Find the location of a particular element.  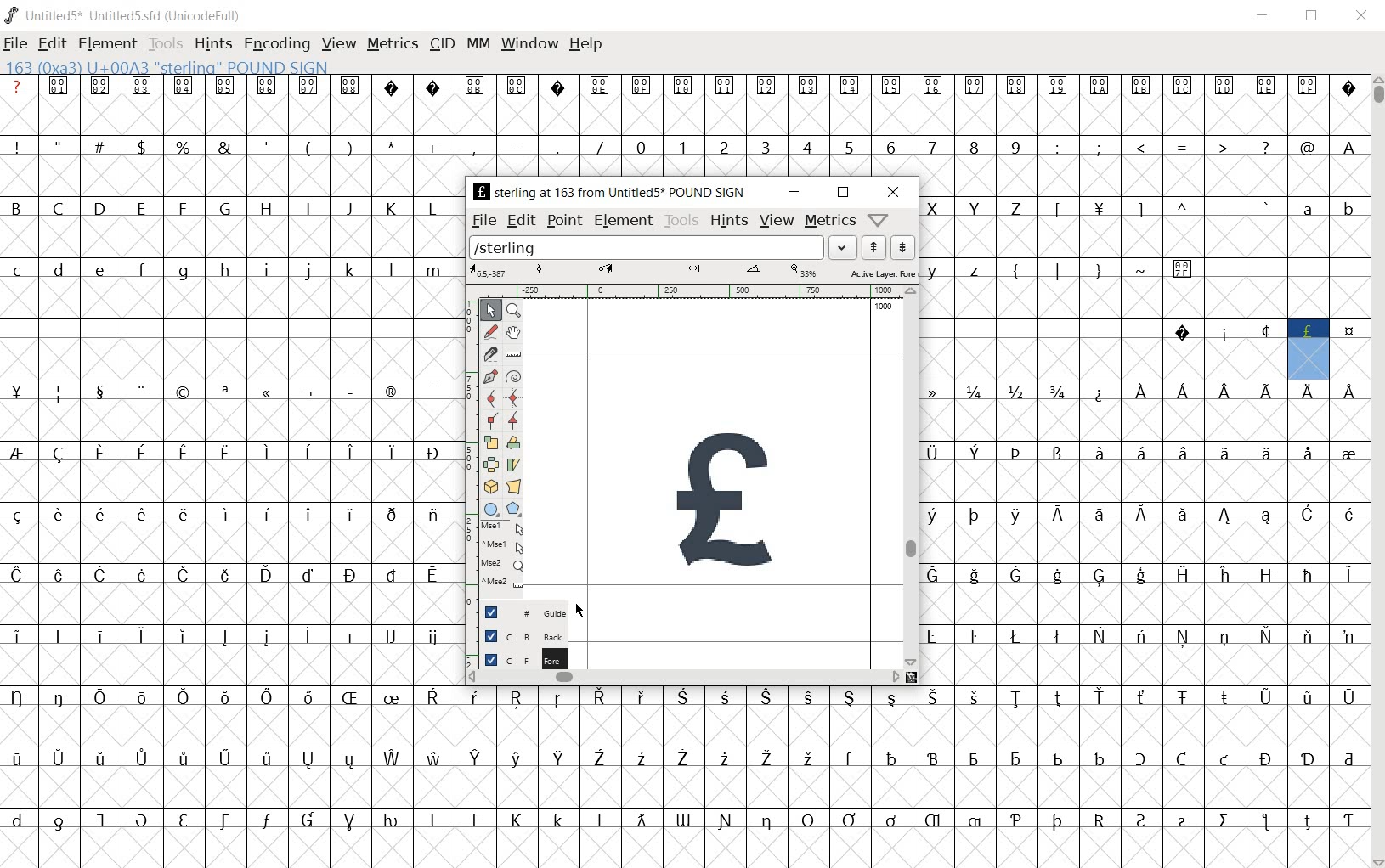

Symbol is located at coordinates (1142, 88).